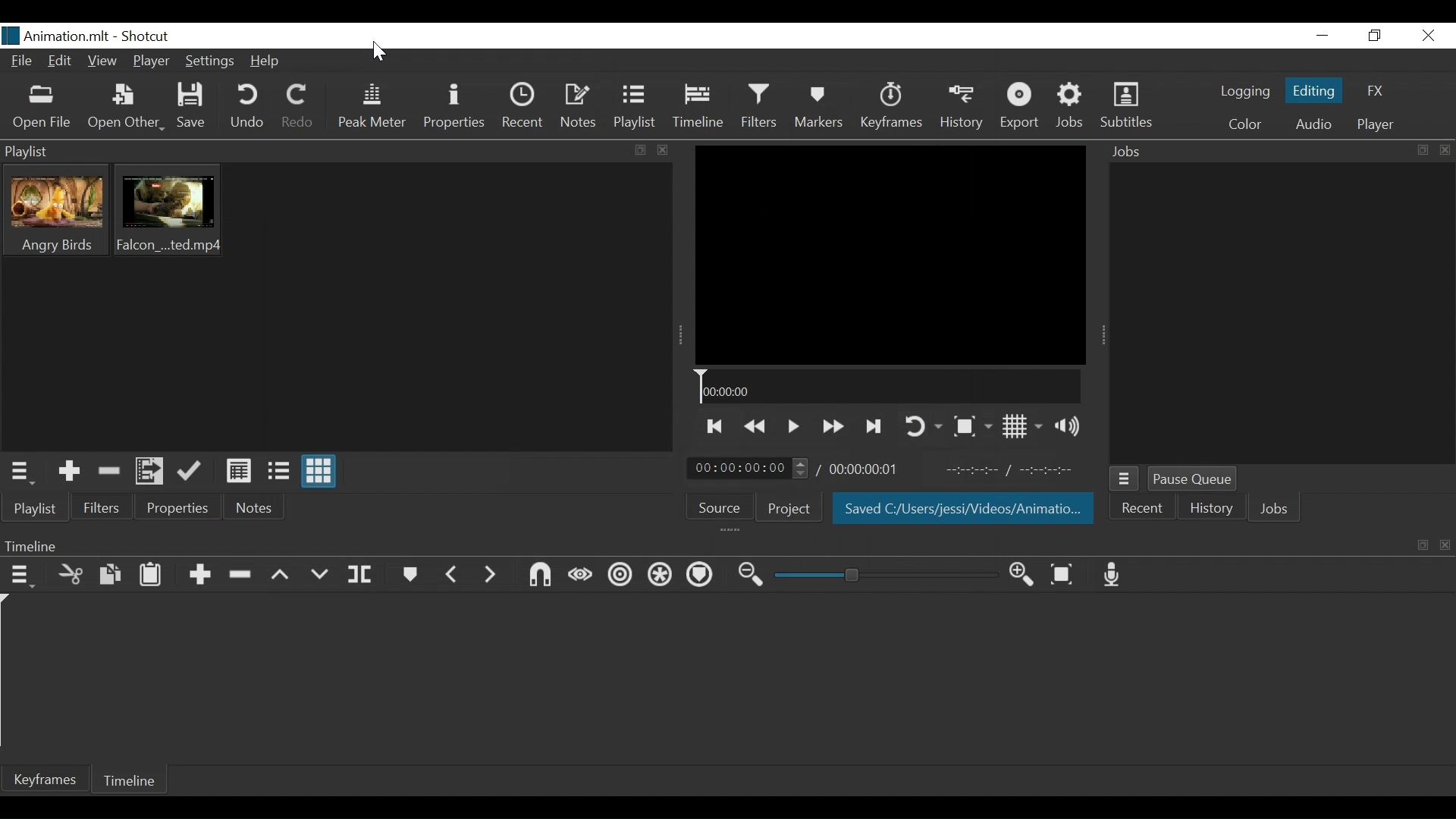  I want to click on Markers, so click(411, 575).